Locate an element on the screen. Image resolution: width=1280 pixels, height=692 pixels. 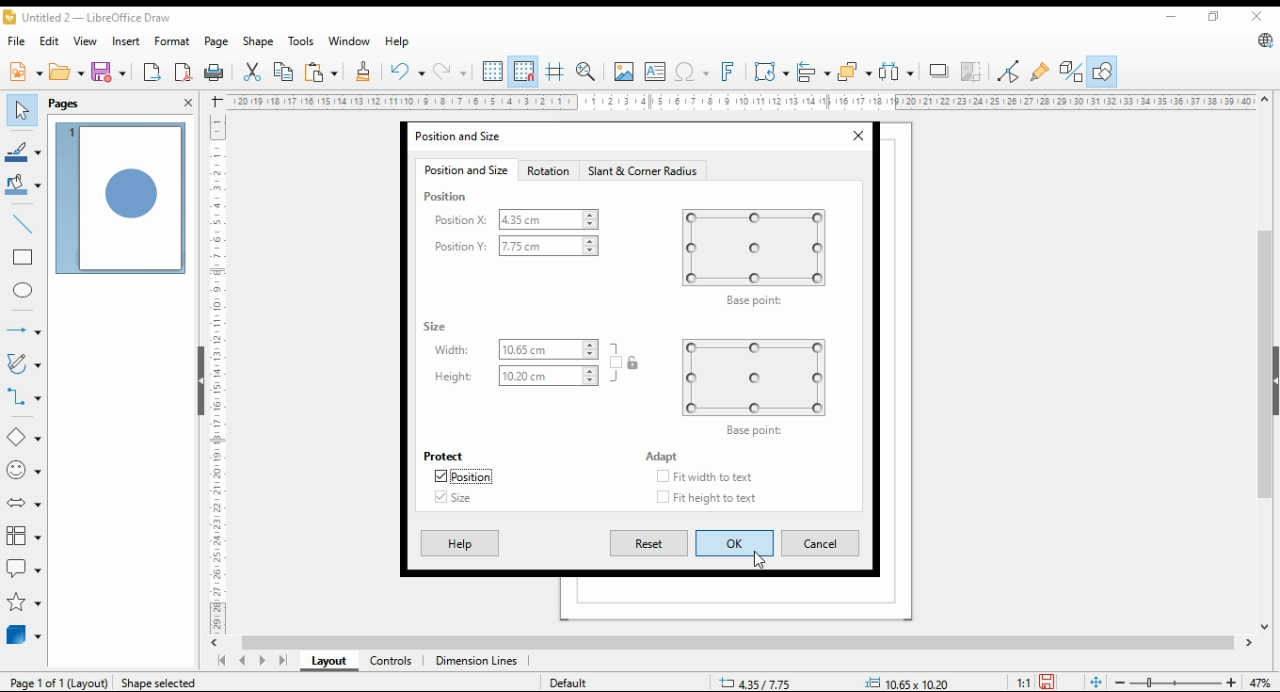
format is located at coordinates (173, 41).